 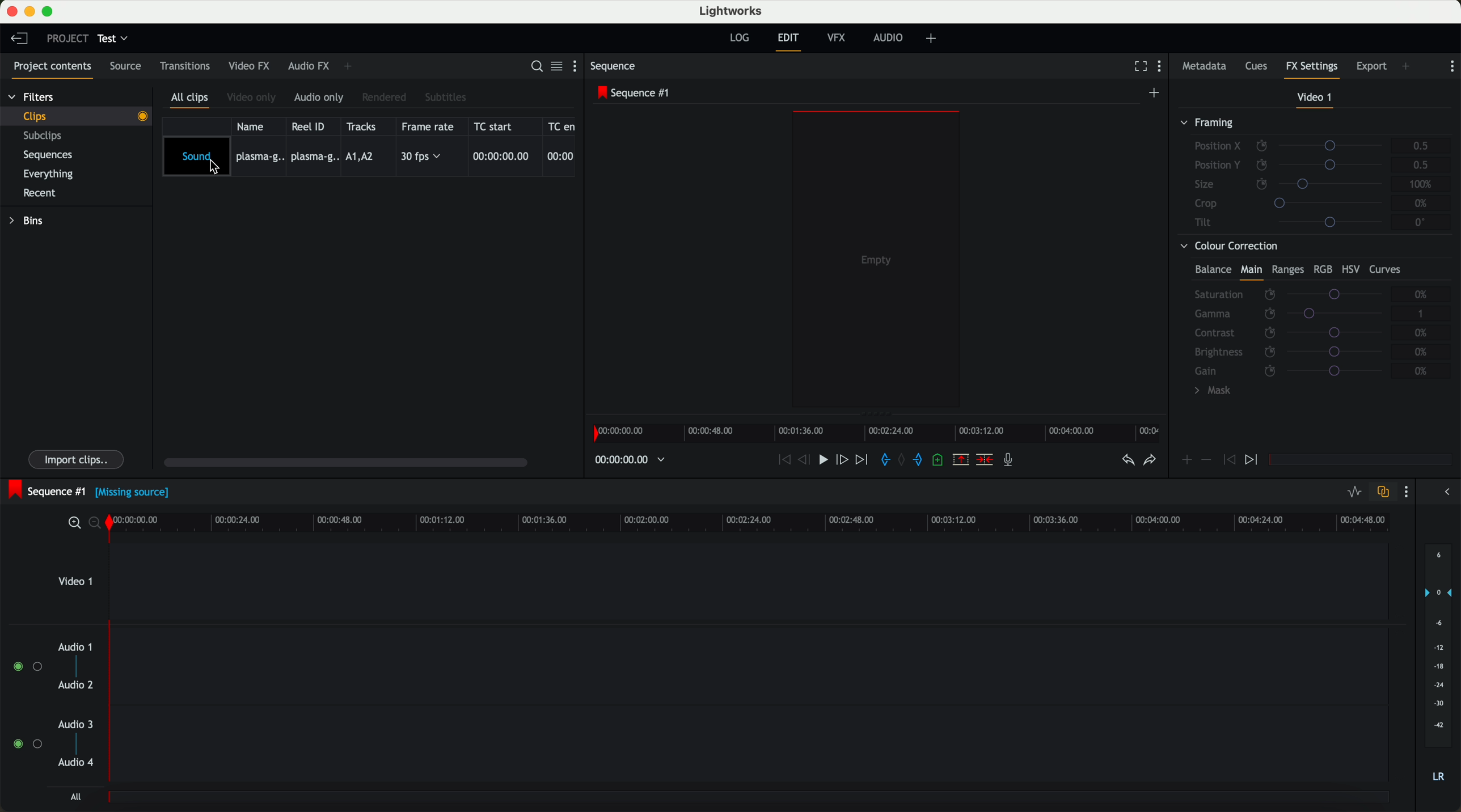 I want to click on clip, so click(x=83, y=116).